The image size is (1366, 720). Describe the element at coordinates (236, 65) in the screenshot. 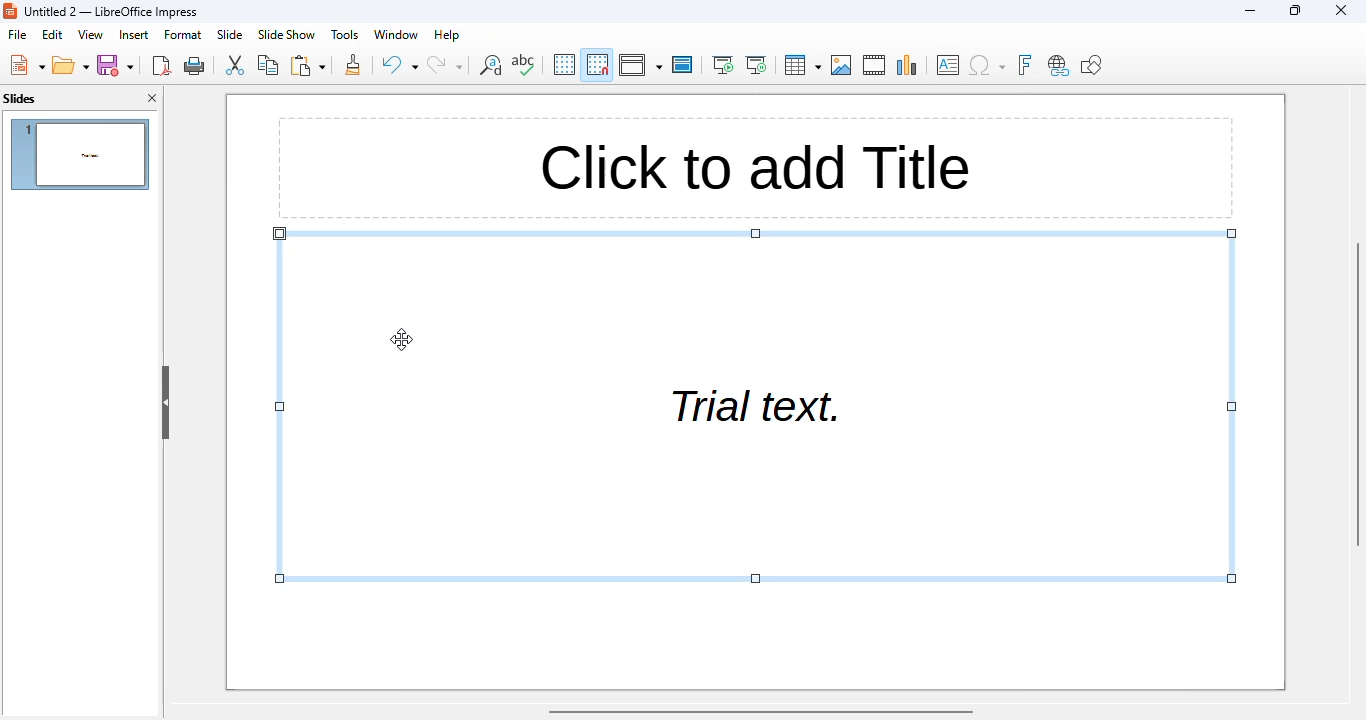

I see `cut` at that location.